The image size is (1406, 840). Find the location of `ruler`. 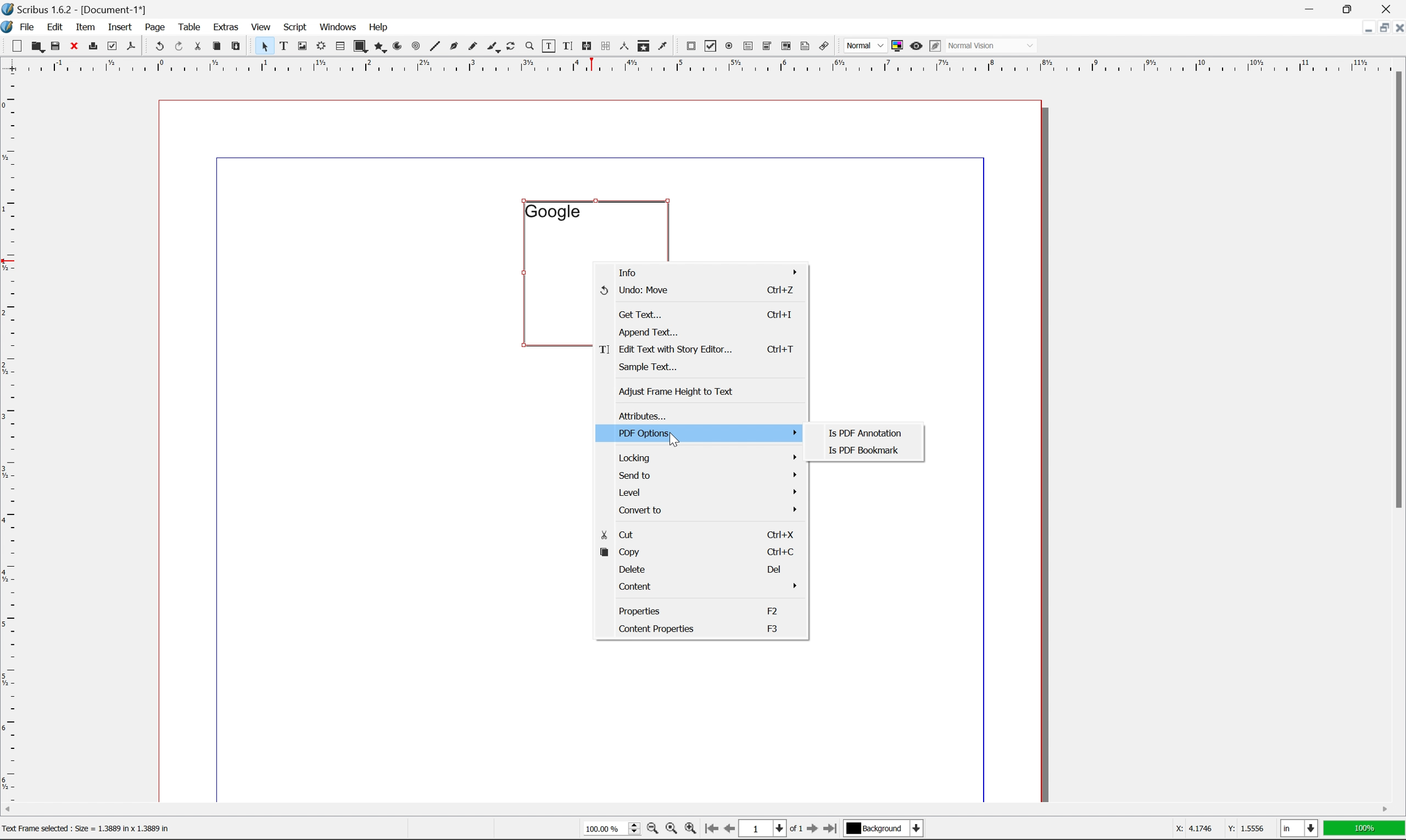

ruler is located at coordinates (702, 64).